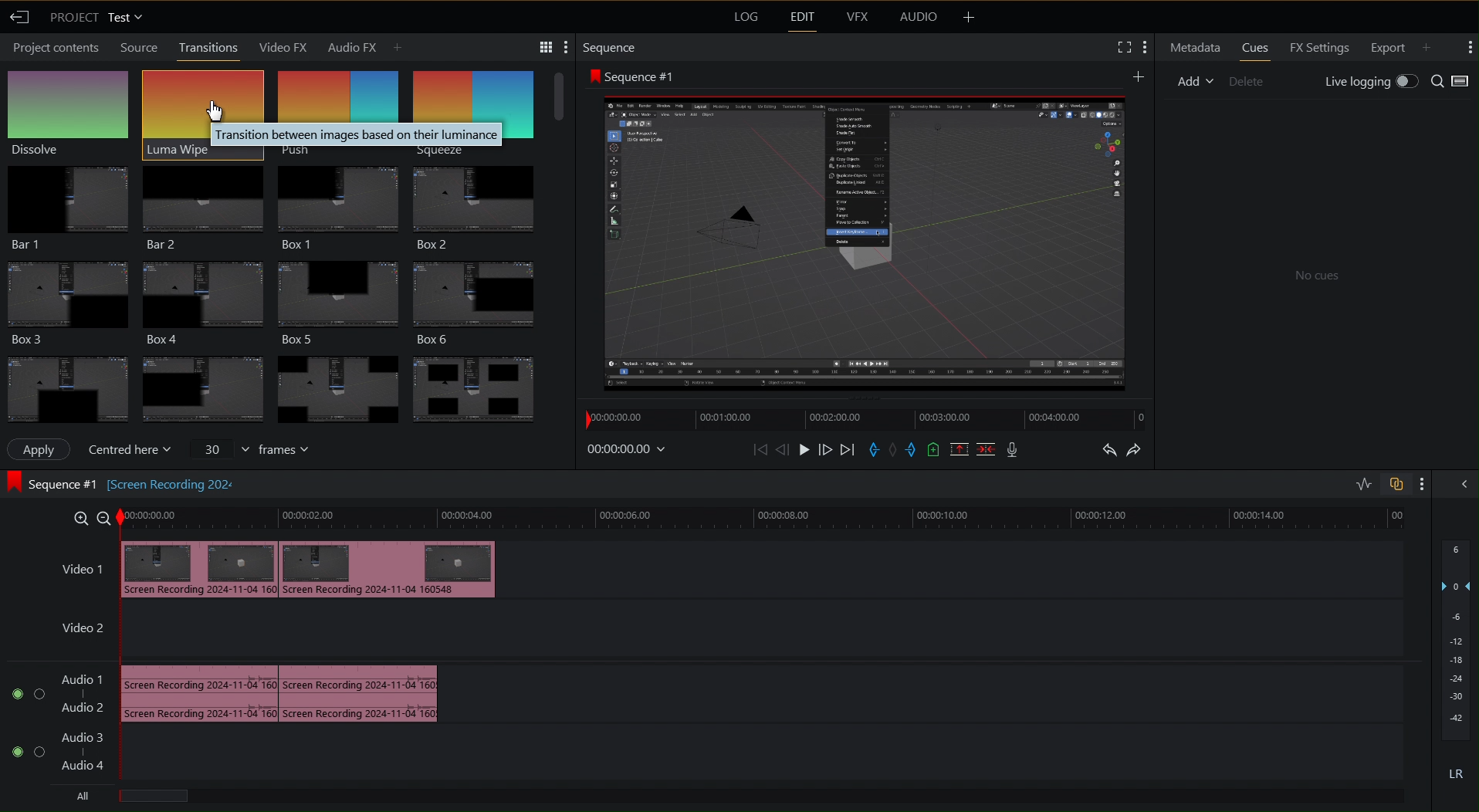 This screenshot has height=812, width=1479. Describe the element at coordinates (337, 201) in the screenshot. I see `Box 1` at that location.